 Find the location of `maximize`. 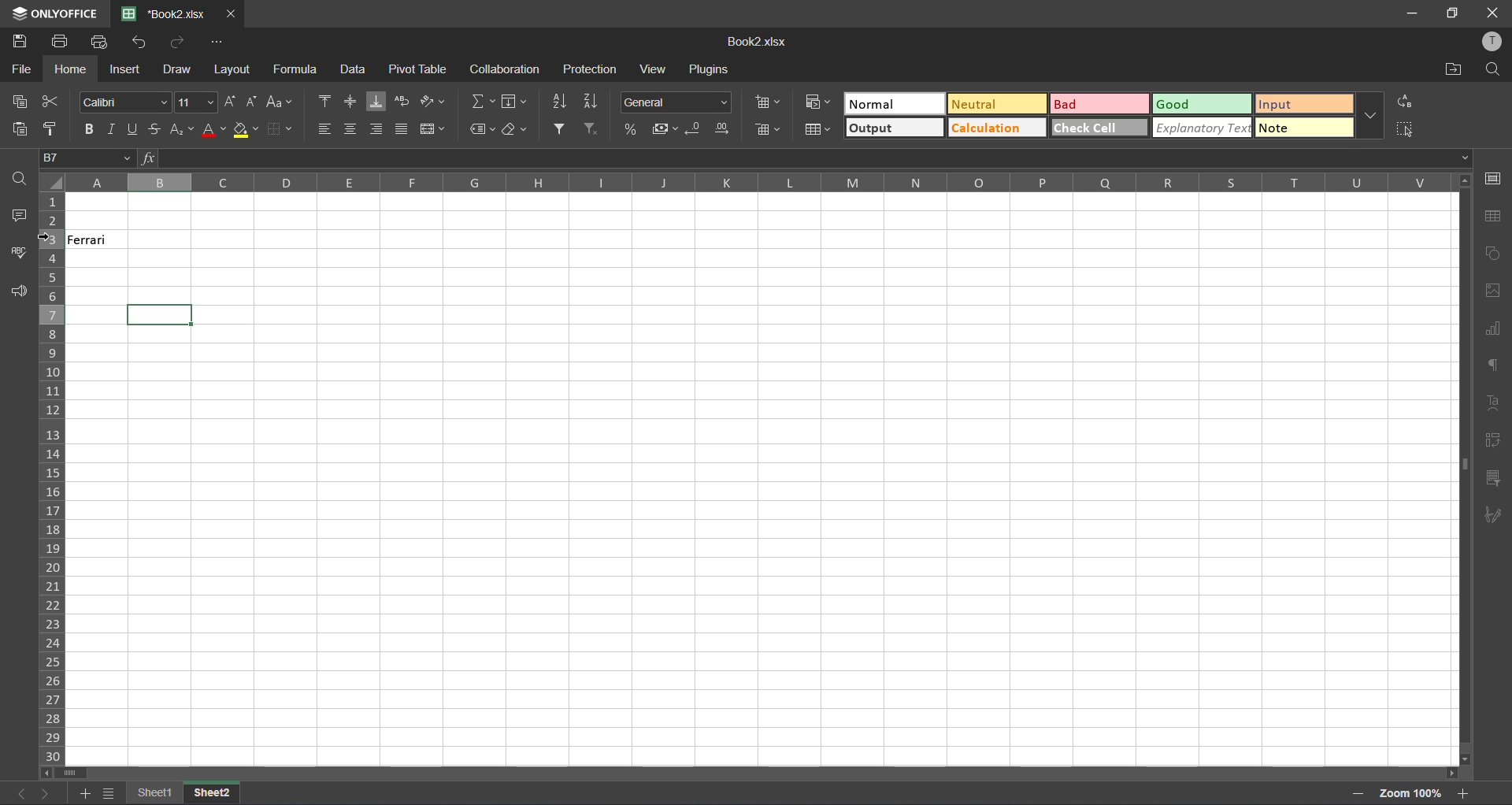

maximize is located at coordinates (1453, 14).